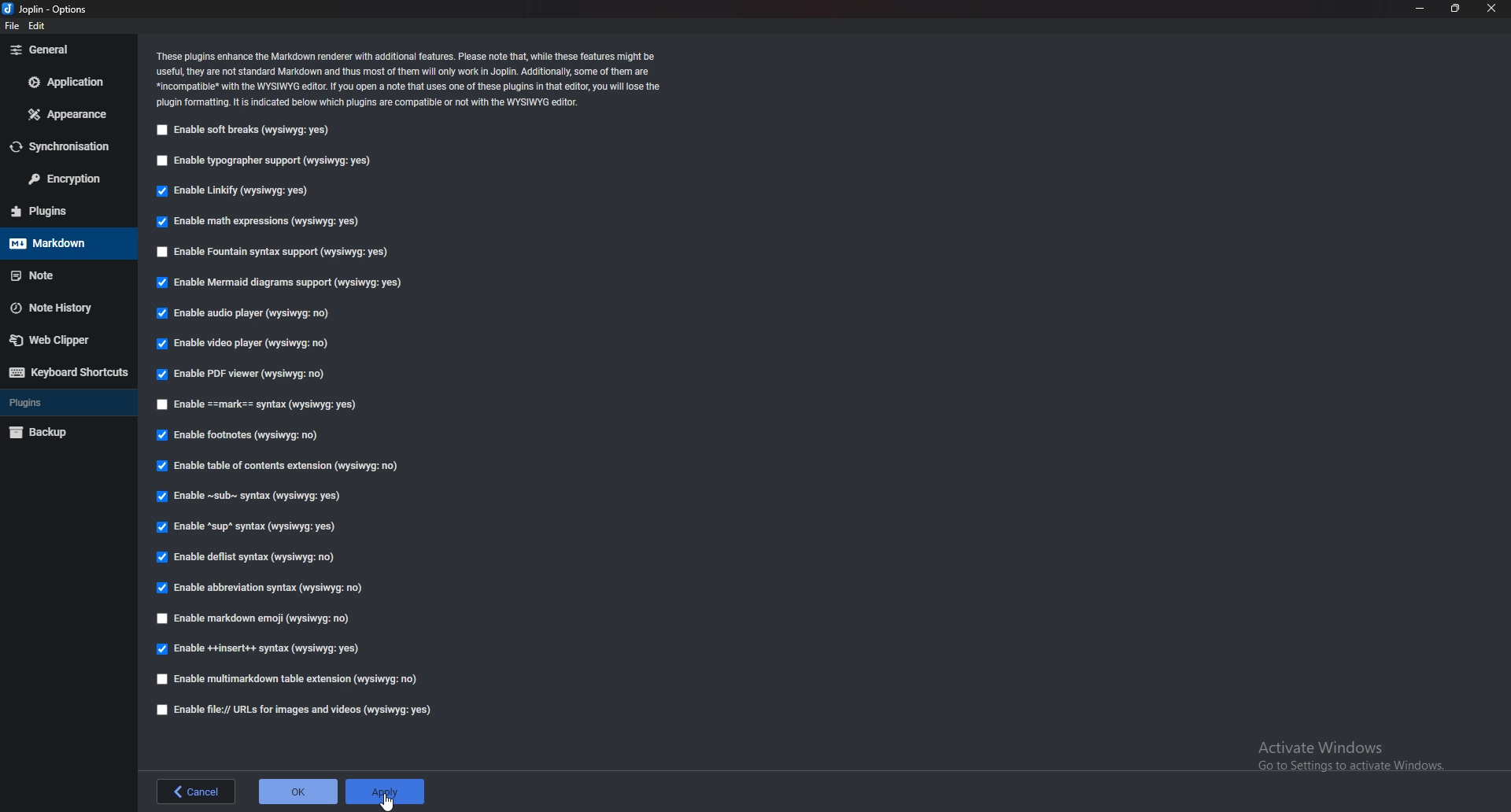 This screenshot has height=812, width=1511. Describe the element at coordinates (259, 617) in the screenshot. I see `enable markdown emoji` at that location.